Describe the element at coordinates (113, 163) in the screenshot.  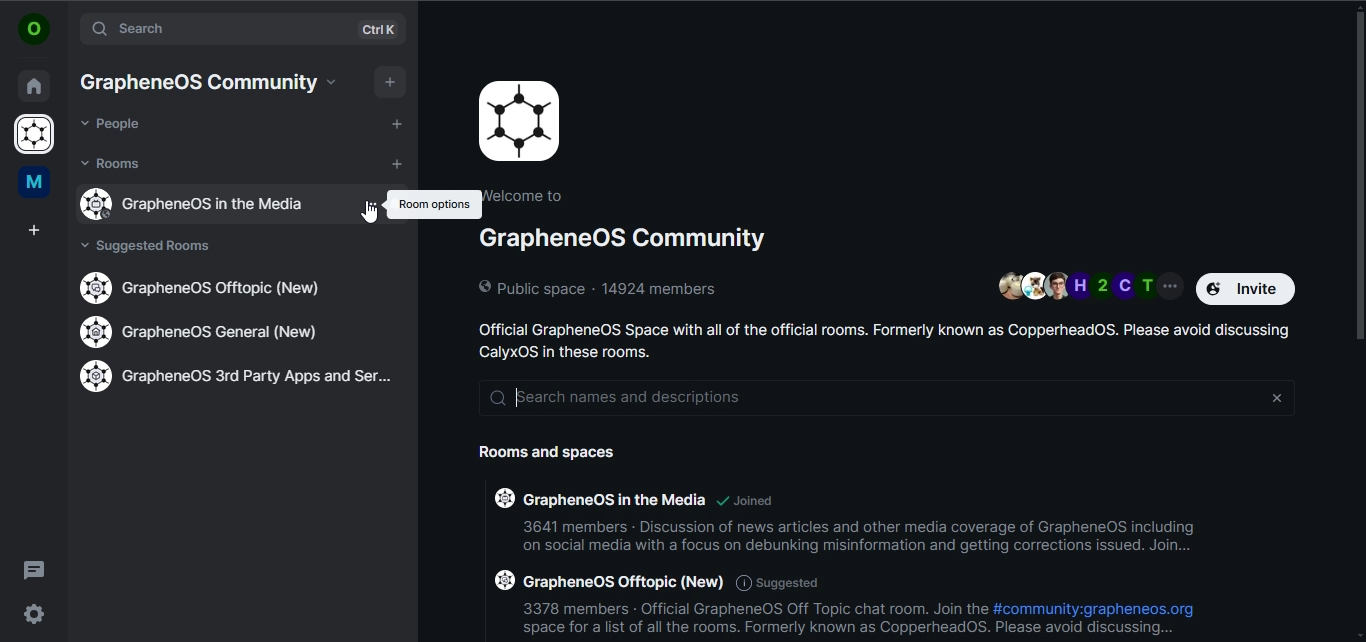
I see `rooms` at that location.